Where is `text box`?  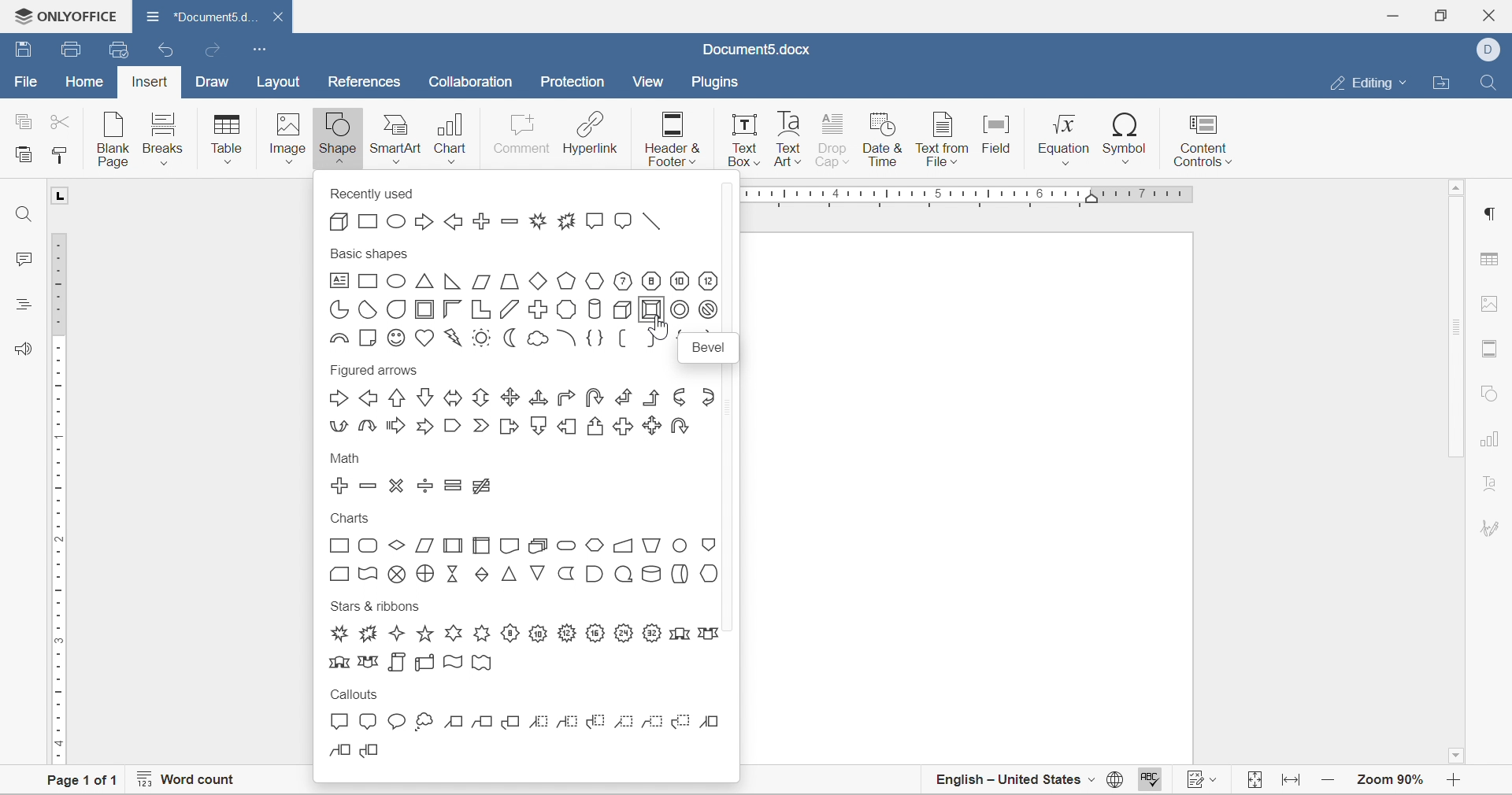
text box is located at coordinates (745, 139).